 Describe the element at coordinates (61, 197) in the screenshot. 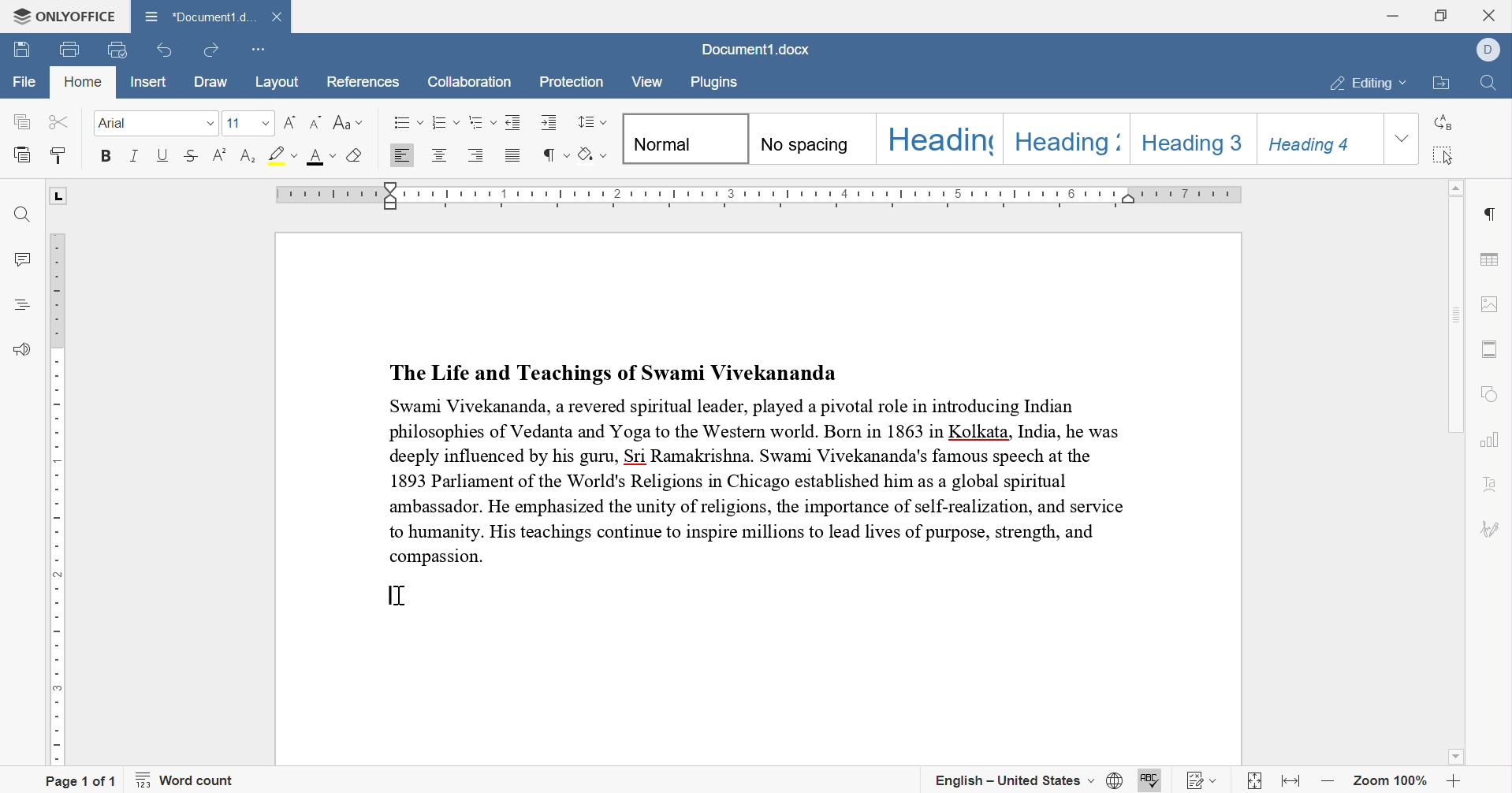

I see `L` at that location.